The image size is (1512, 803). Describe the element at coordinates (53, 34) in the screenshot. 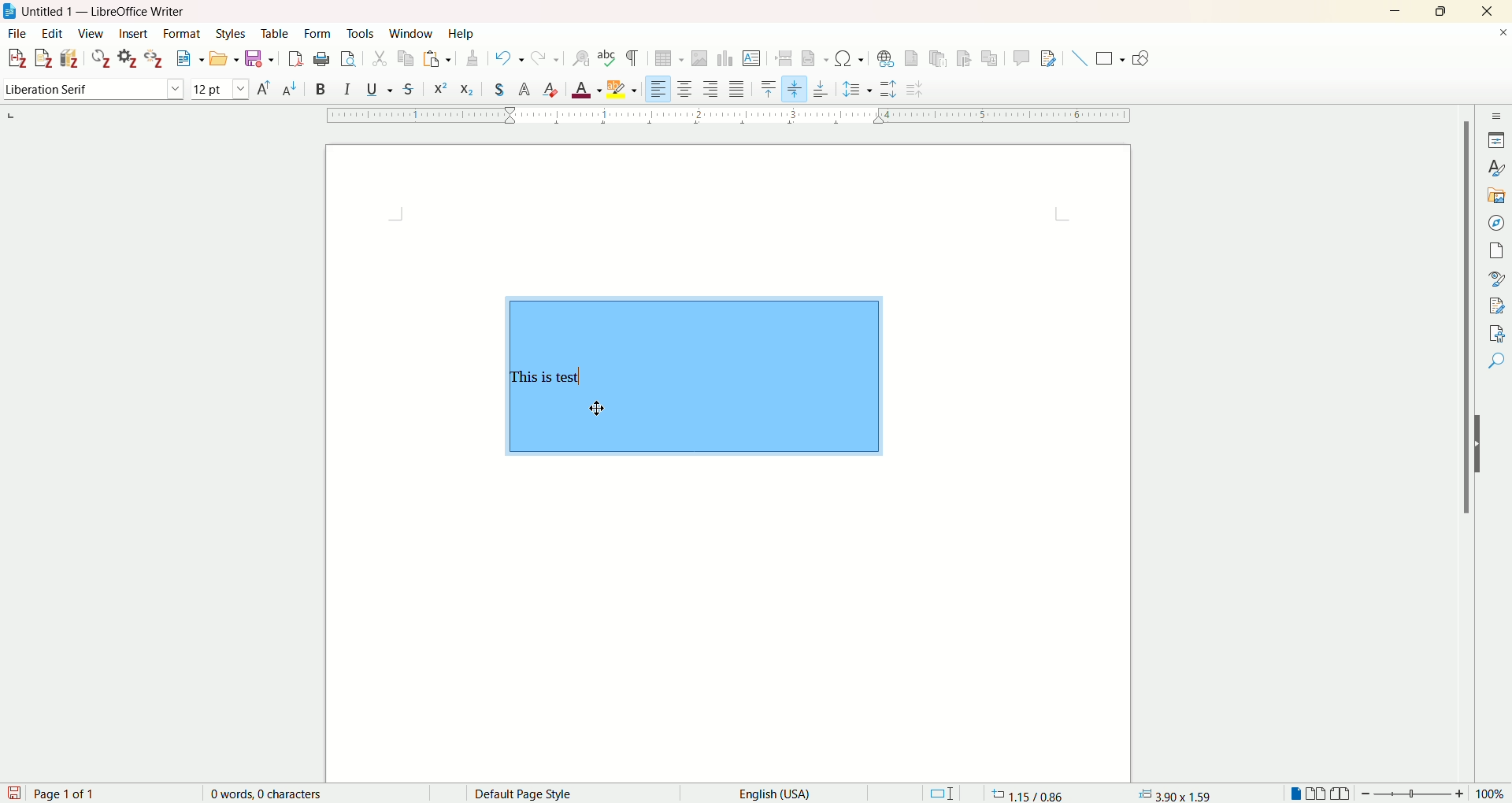

I see `edit` at that location.